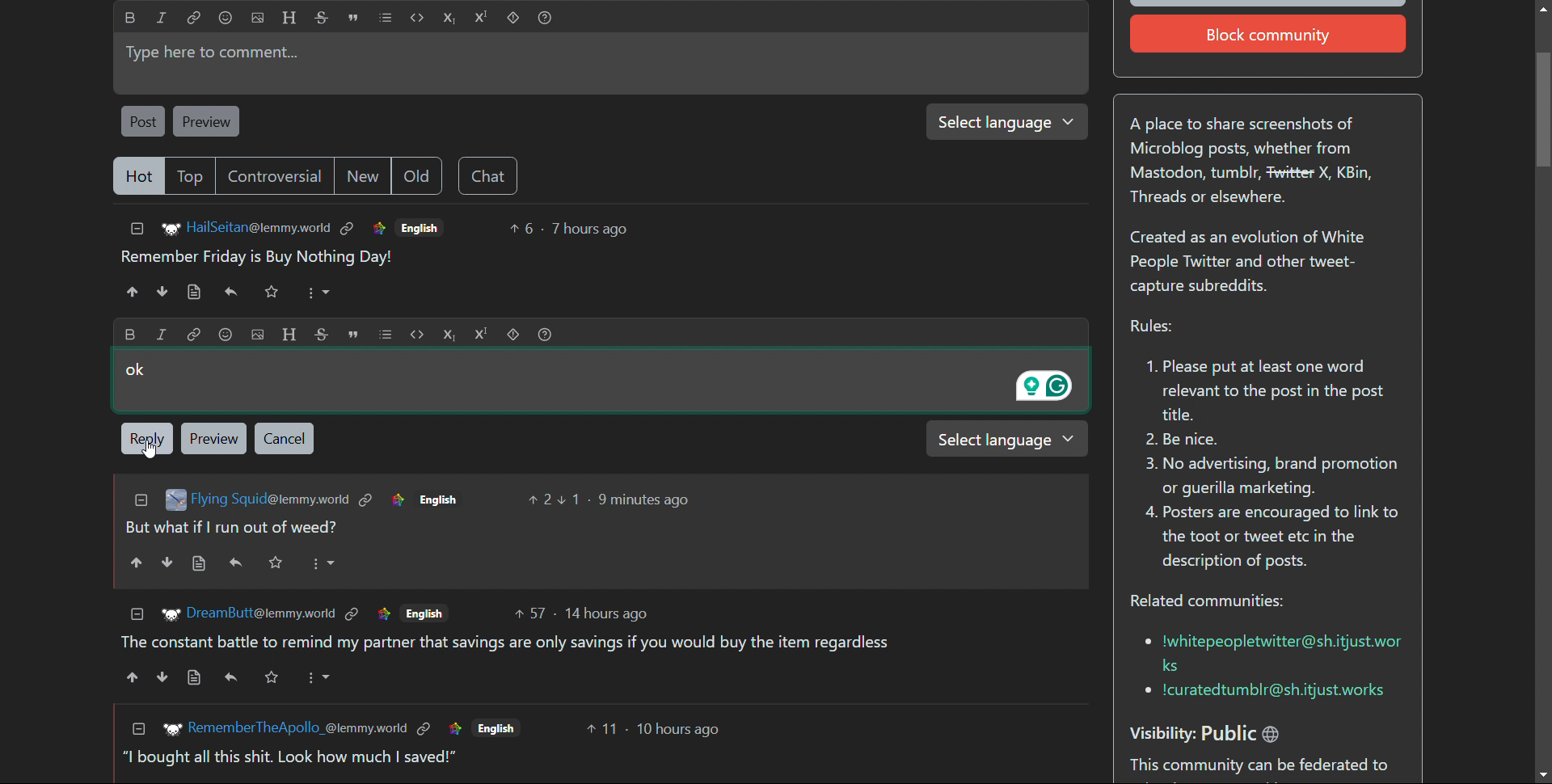 The width and height of the screenshot is (1552, 784). What do you see at coordinates (516, 332) in the screenshot?
I see `spoiler` at bounding box center [516, 332].